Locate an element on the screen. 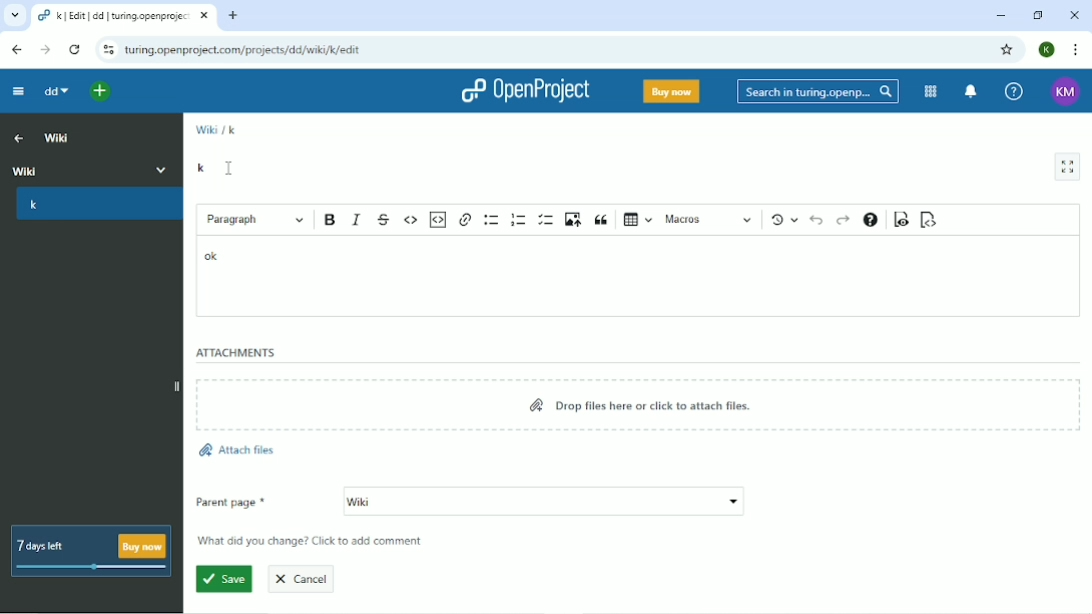  Save is located at coordinates (223, 579).